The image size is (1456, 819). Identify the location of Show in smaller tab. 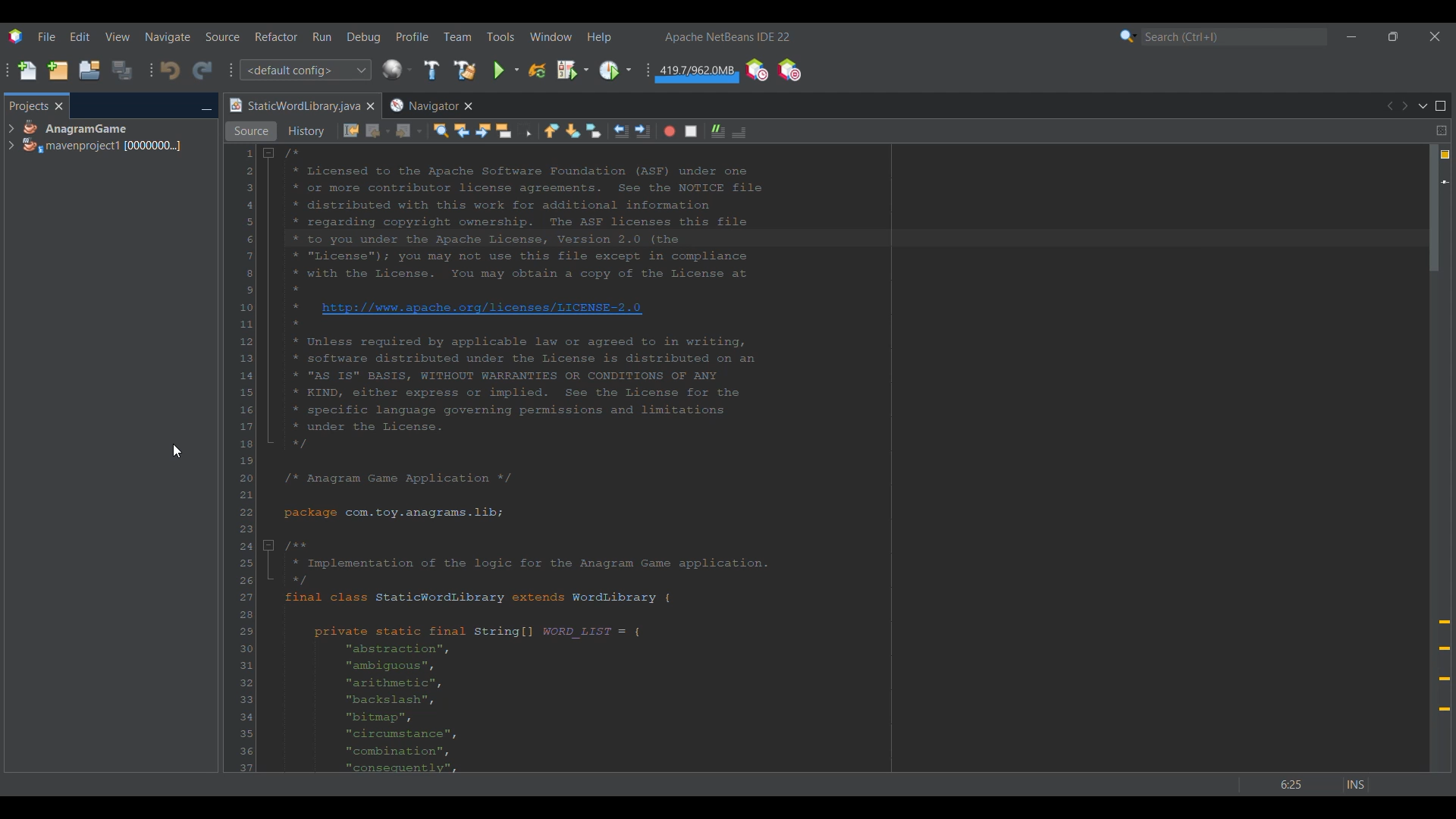
(1393, 36).